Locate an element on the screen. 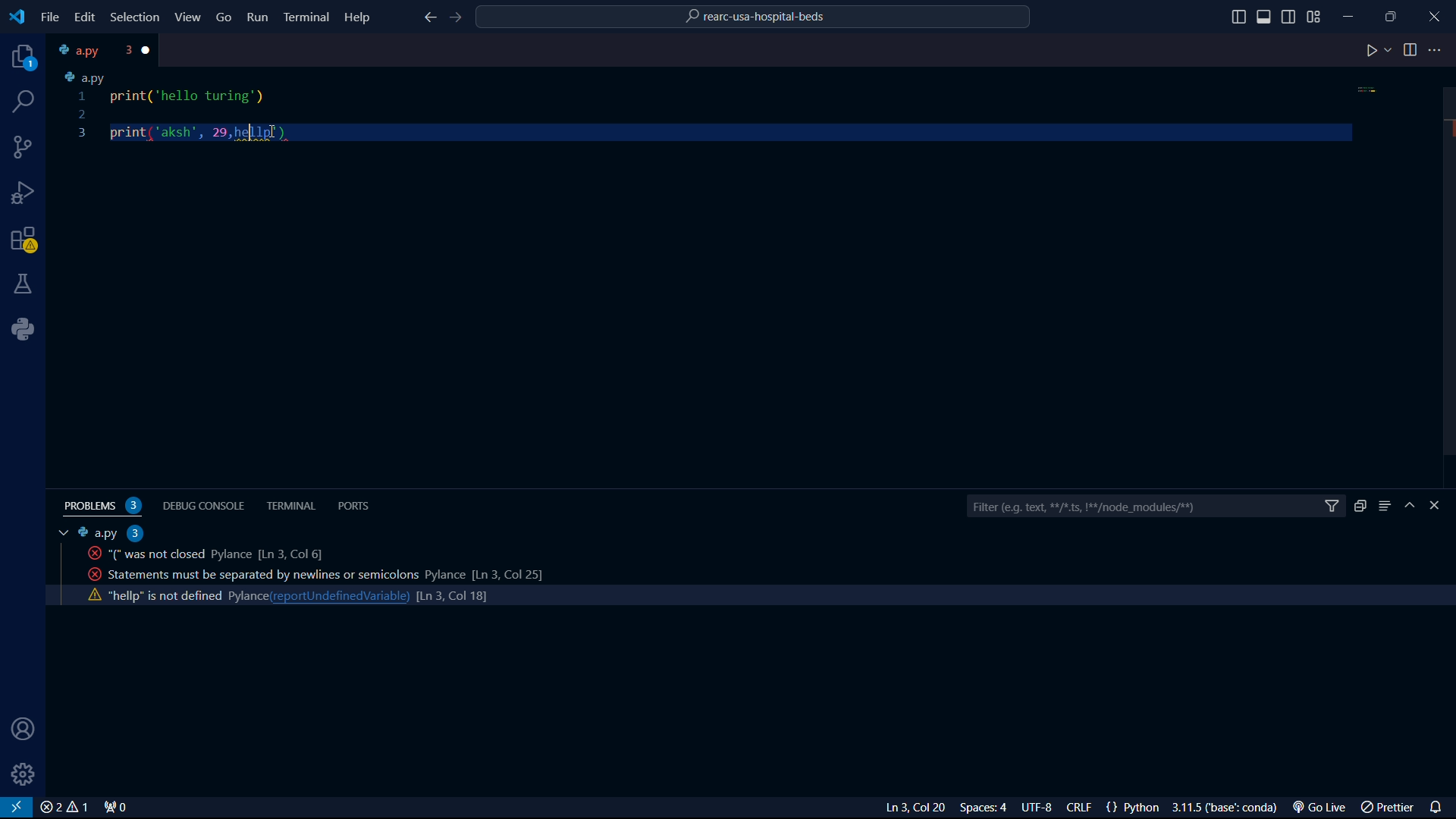  tab is located at coordinates (59, 533).